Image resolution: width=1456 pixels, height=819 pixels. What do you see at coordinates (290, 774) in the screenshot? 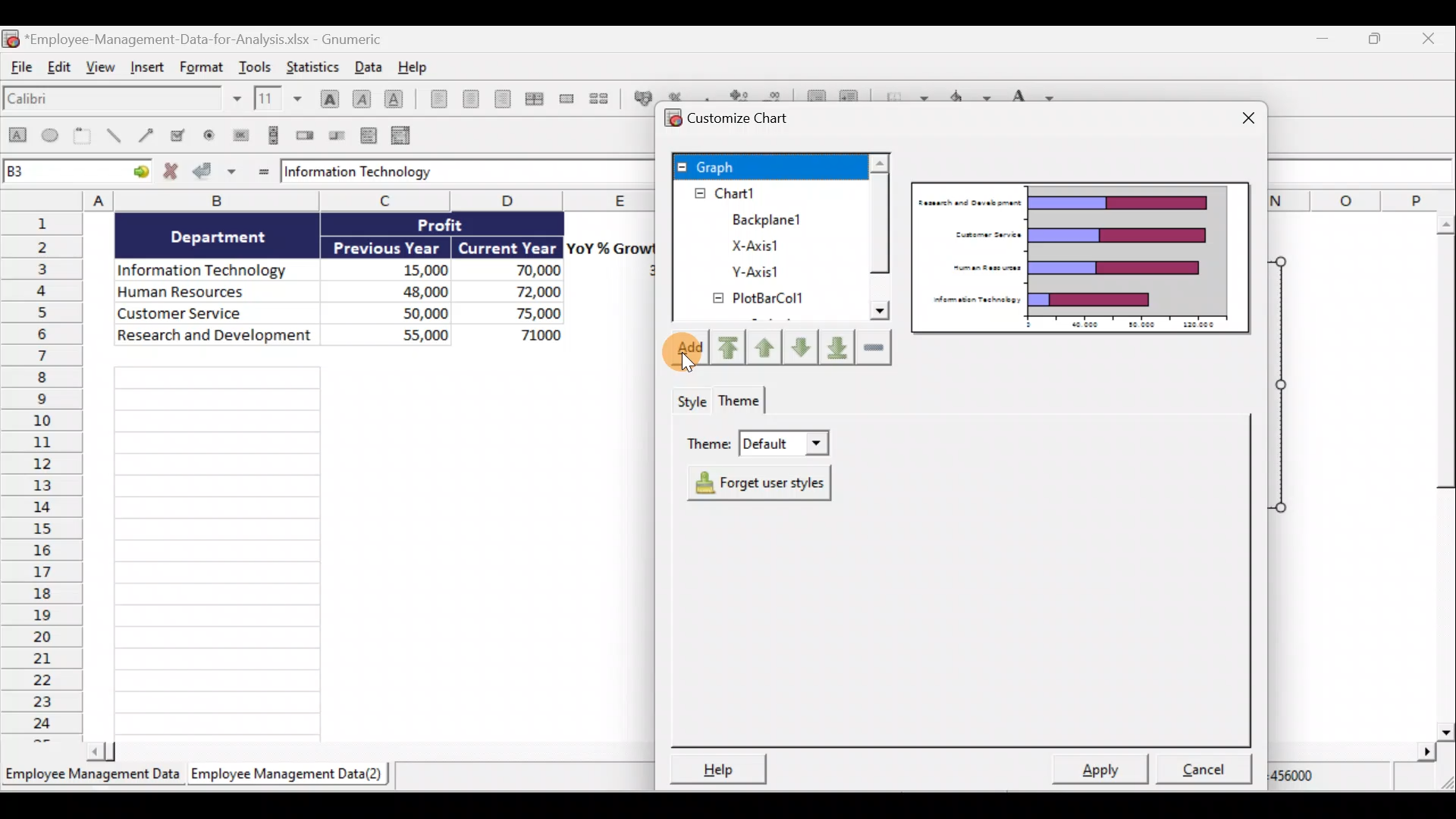
I see `Employee Management Data(2)` at bounding box center [290, 774].